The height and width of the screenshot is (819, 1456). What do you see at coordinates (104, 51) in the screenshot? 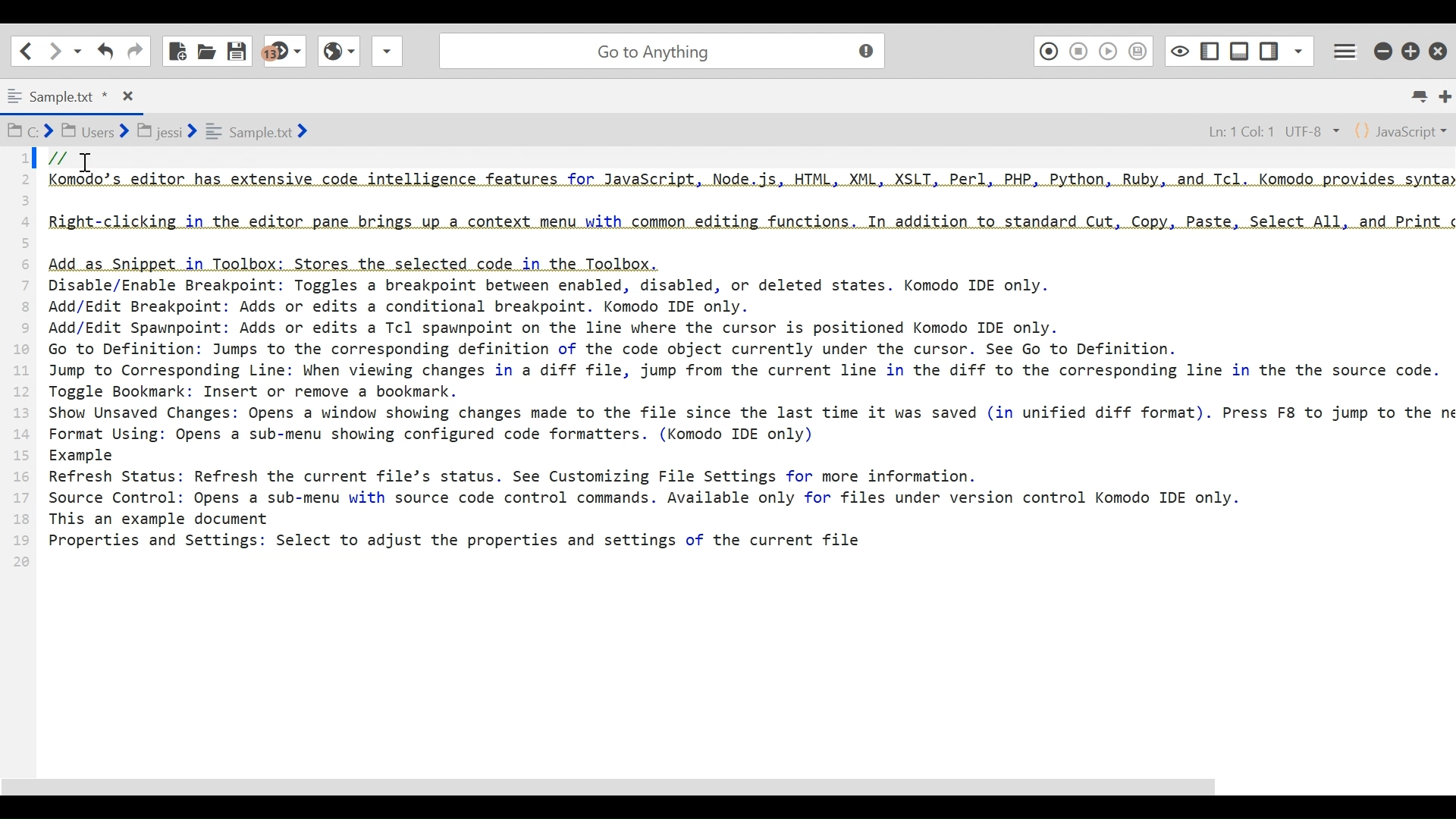
I see `Undo` at bounding box center [104, 51].